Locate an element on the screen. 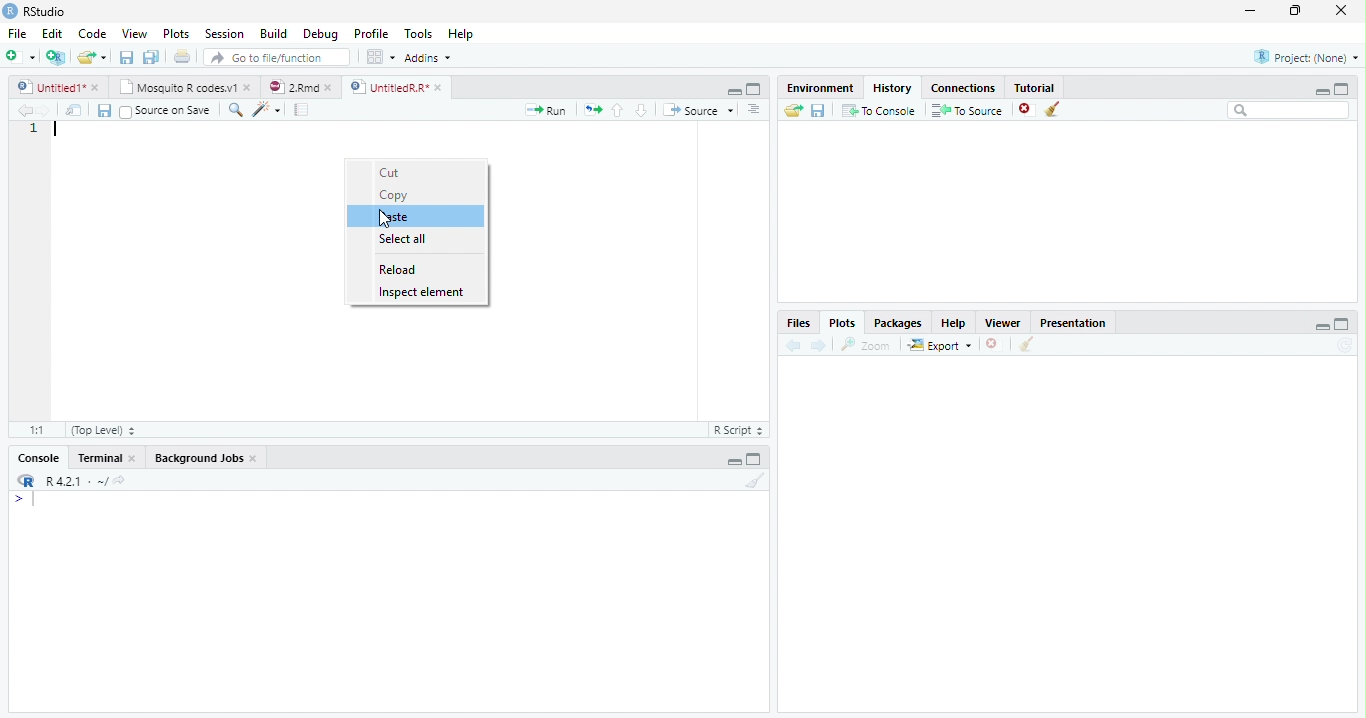 Image resolution: width=1366 pixels, height=718 pixels. Create a project is located at coordinates (57, 59).